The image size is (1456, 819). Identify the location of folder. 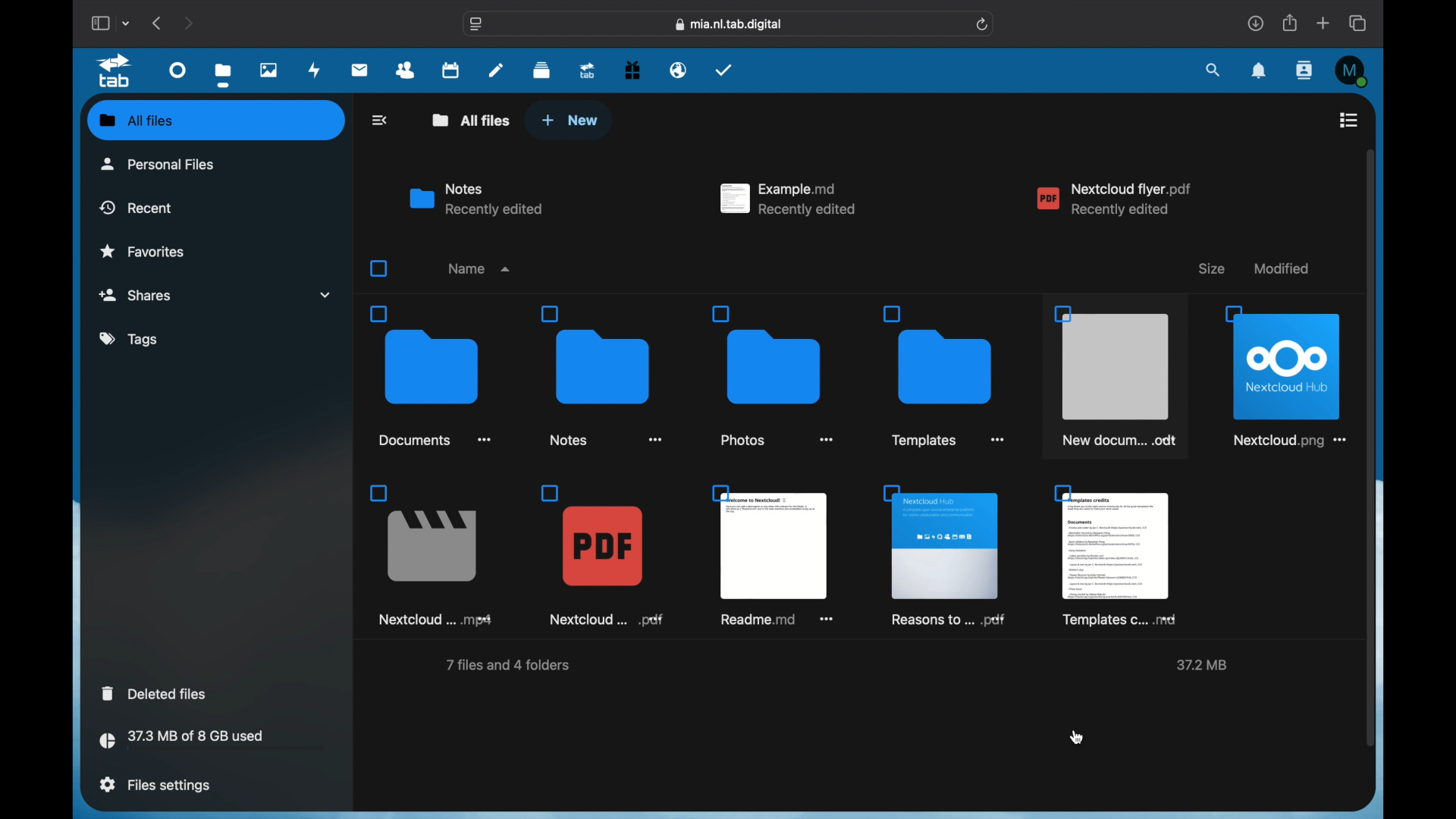
(775, 378).